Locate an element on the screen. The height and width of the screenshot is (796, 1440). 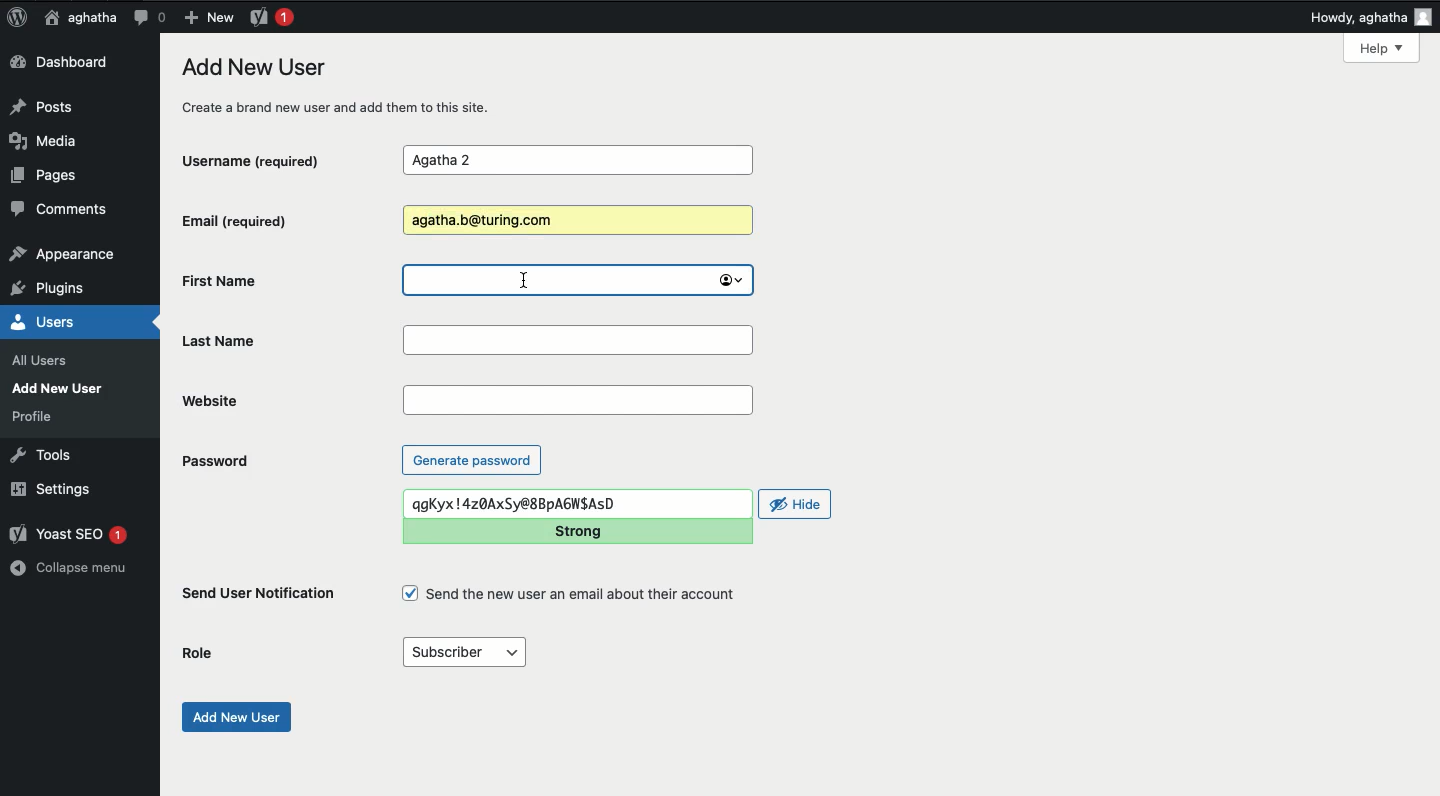
Agatha.b@turing.com is located at coordinates (574, 221).